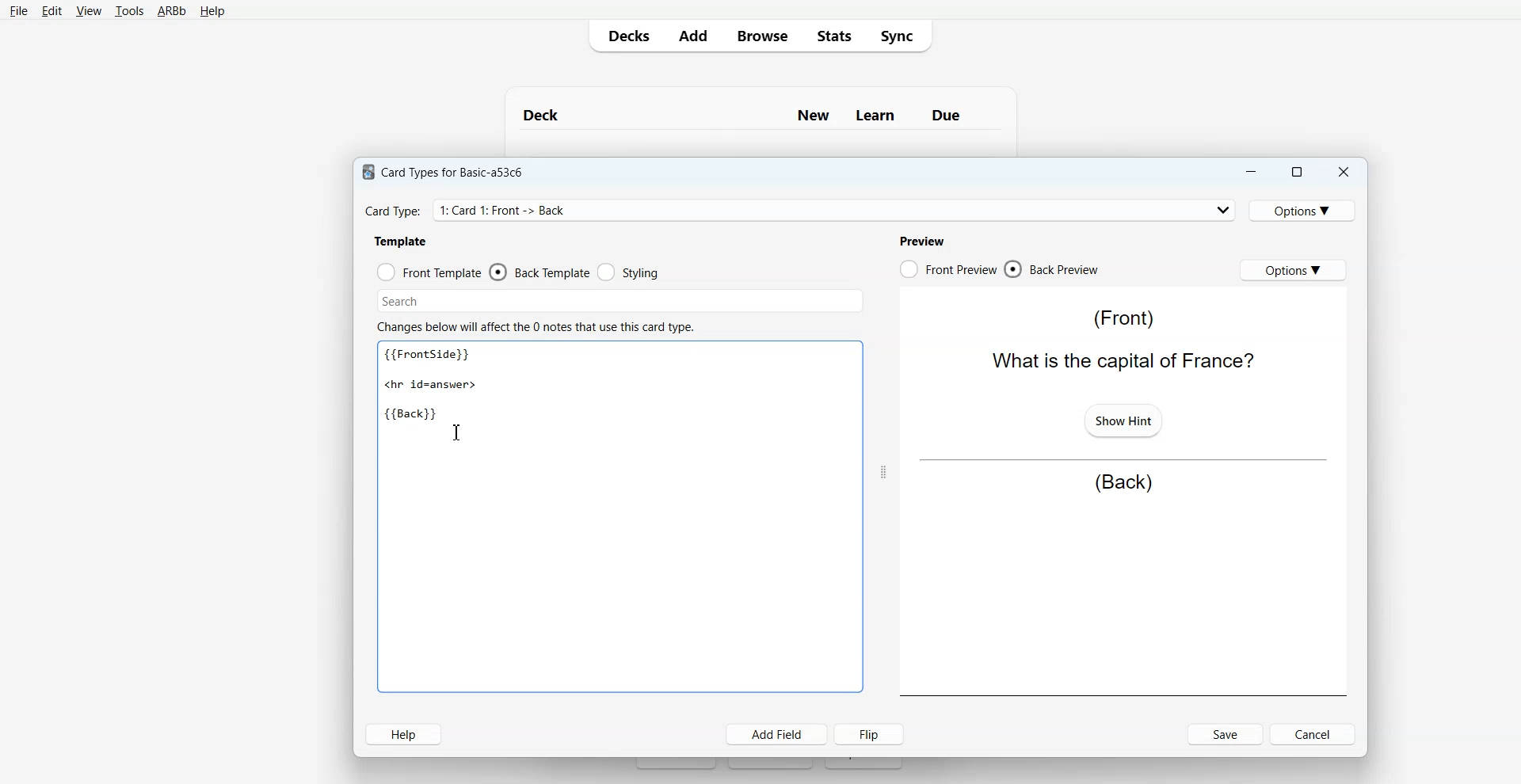  Describe the element at coordinates (1123, 483) in the screenshot. I see `(Back)` at that location.